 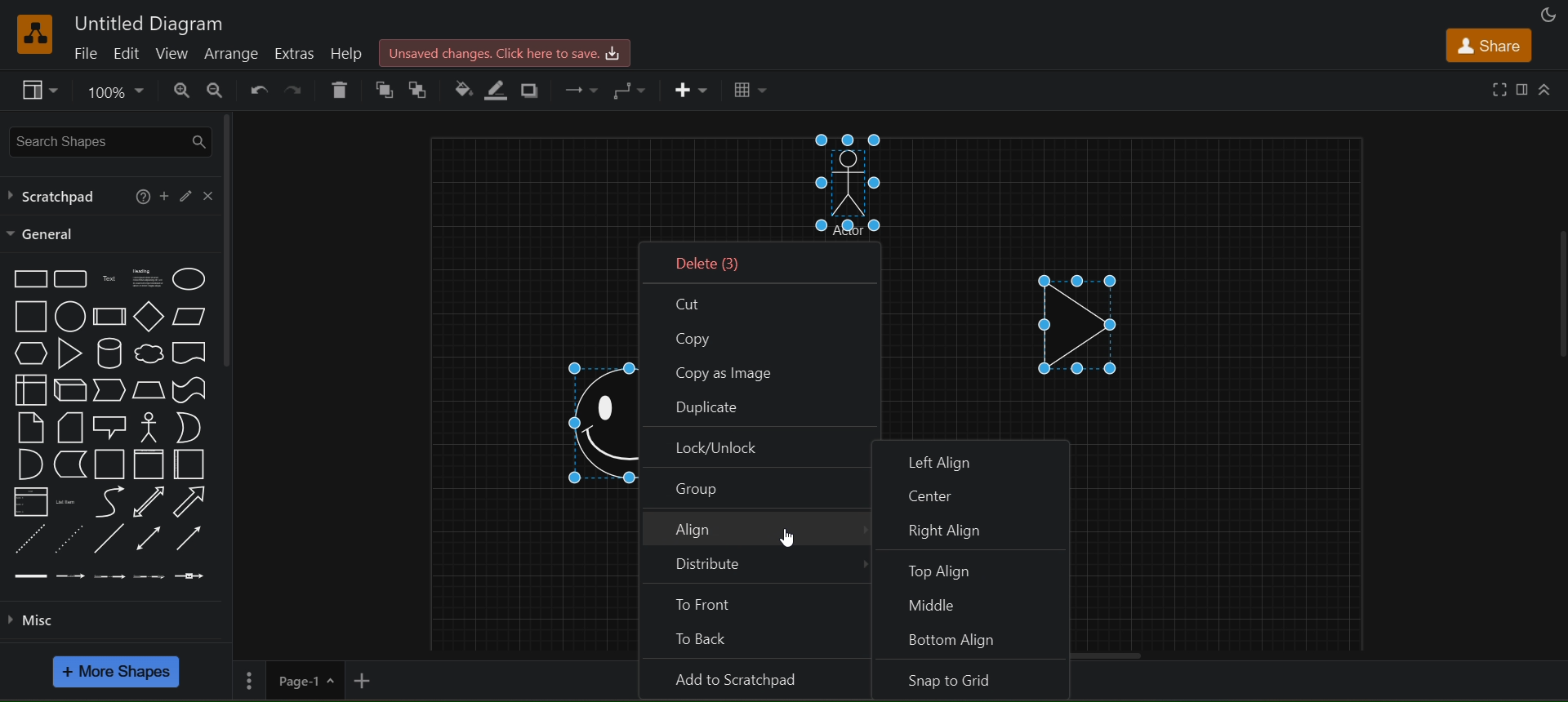 I want to click on bidirectional connector, so click(x=151, y=539).